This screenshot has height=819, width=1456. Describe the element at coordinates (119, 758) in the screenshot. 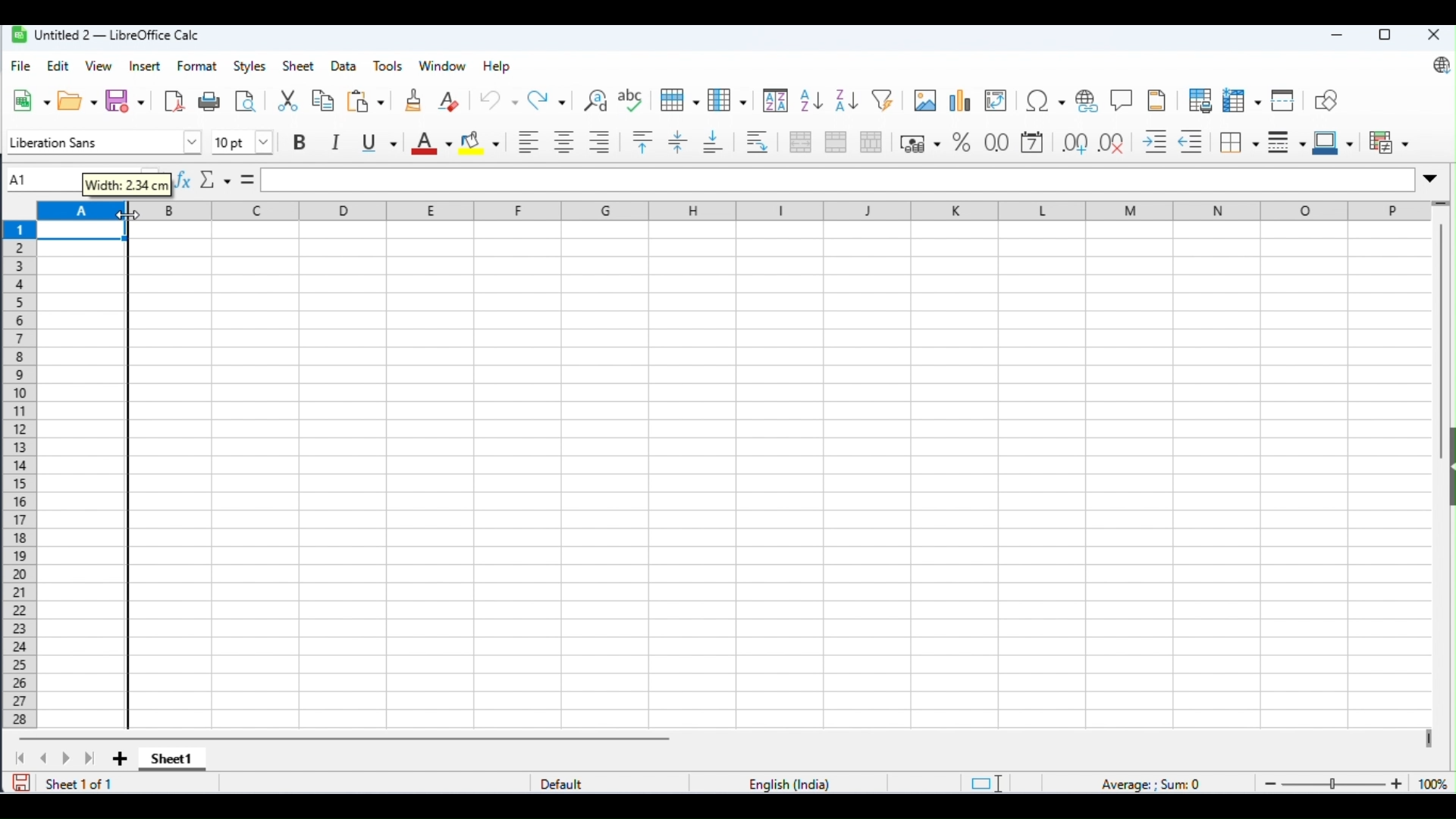

I see `add sheet` at that location.